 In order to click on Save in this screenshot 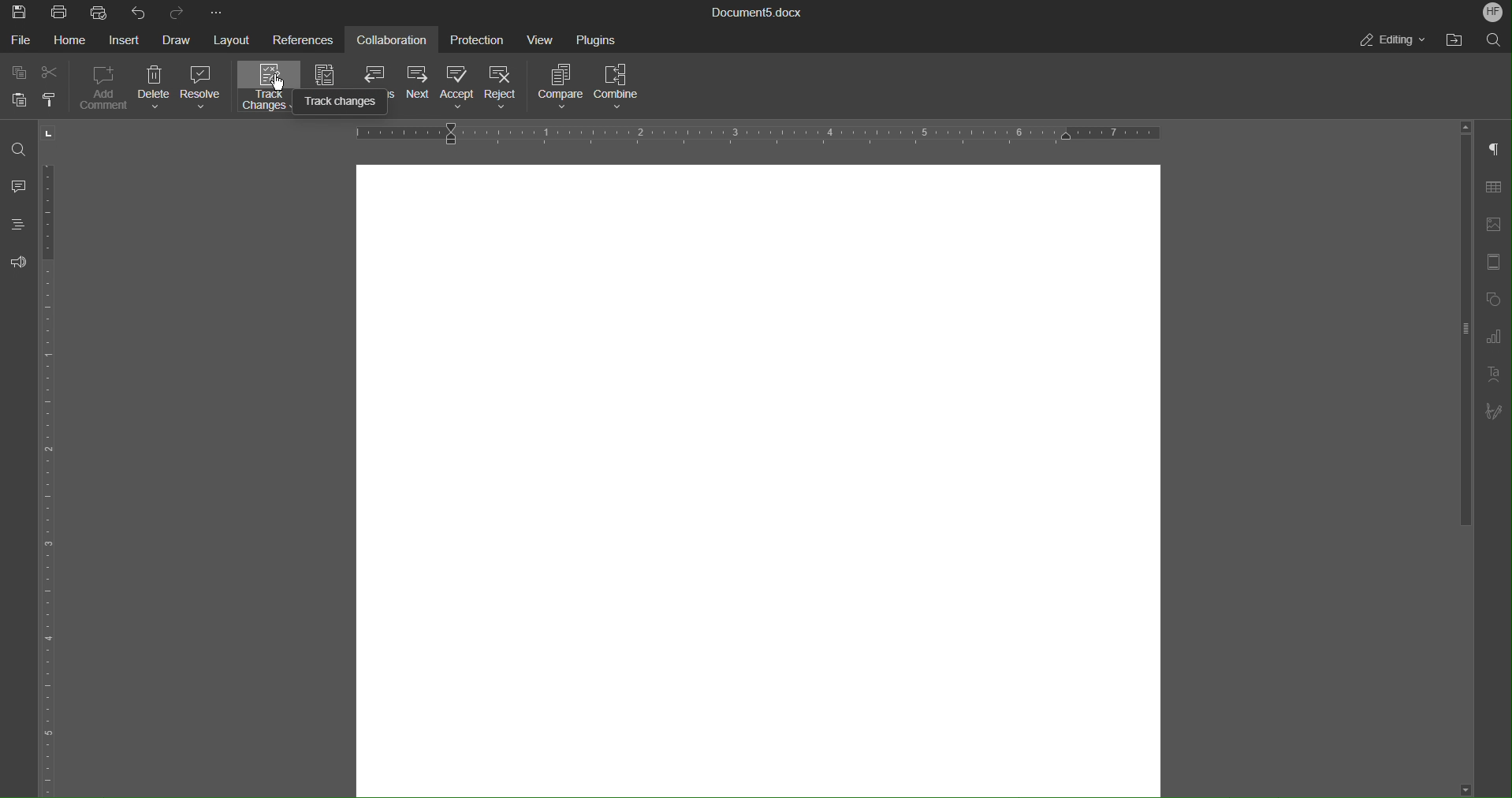, I will do `click(20, 13)`.